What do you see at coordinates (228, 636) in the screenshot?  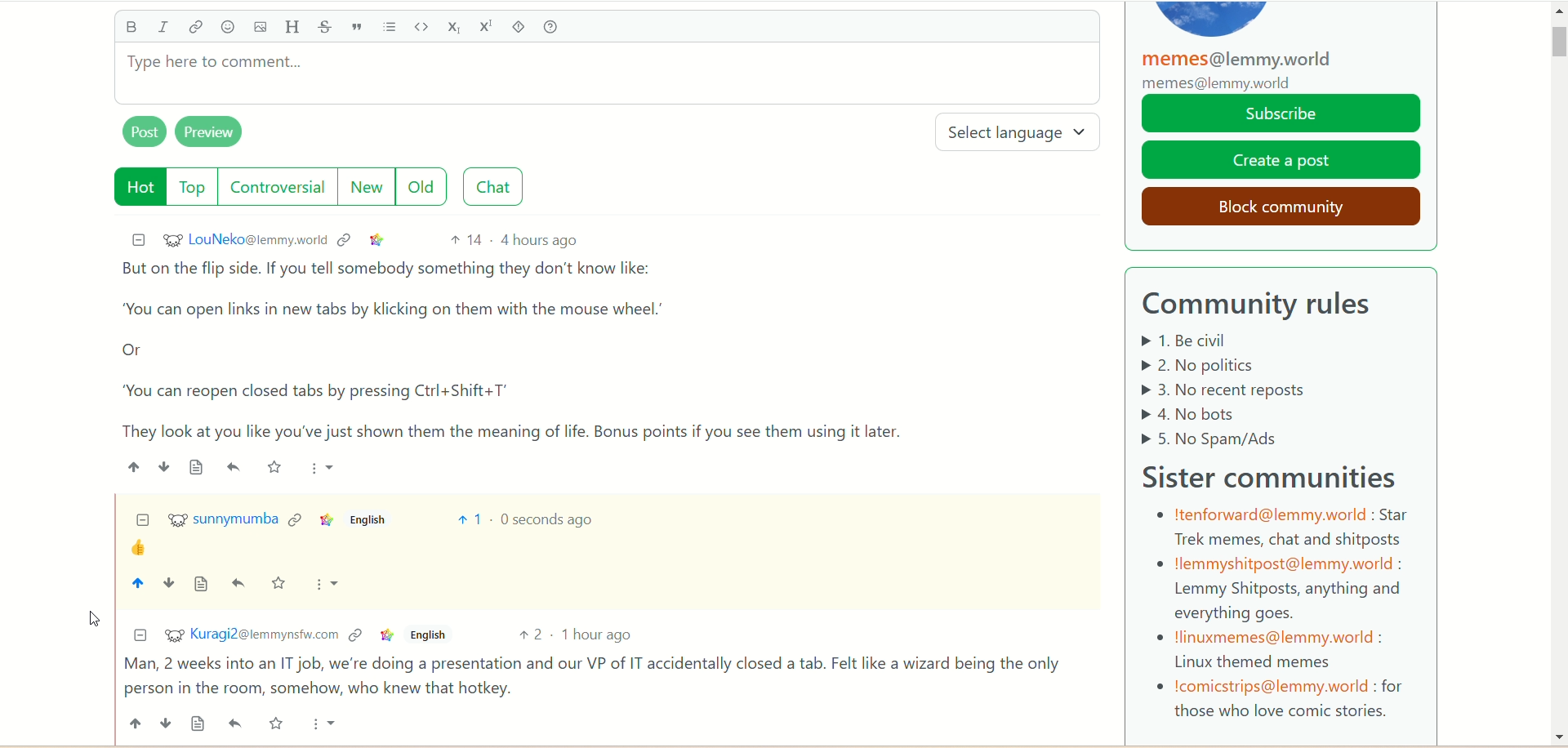 I see `username` at bounding box center [228, 636].